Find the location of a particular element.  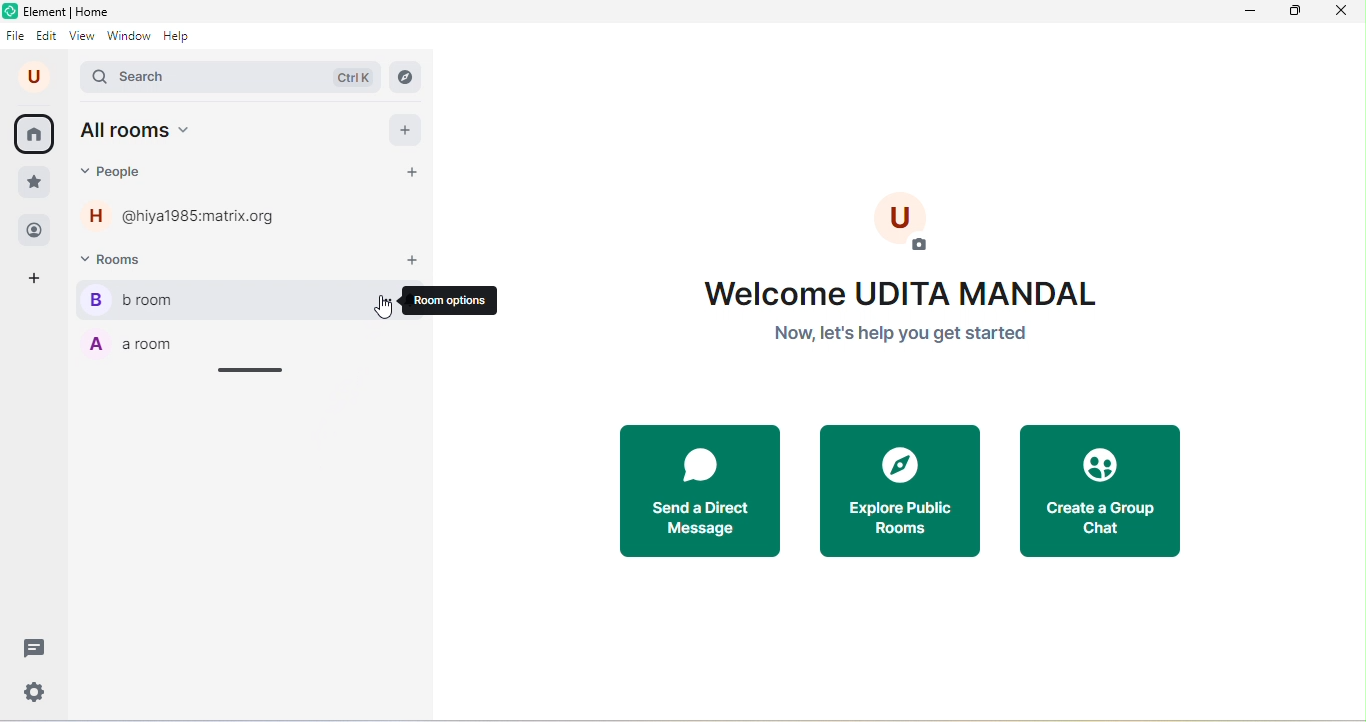

start a chat is located at coordinates (412, 176).